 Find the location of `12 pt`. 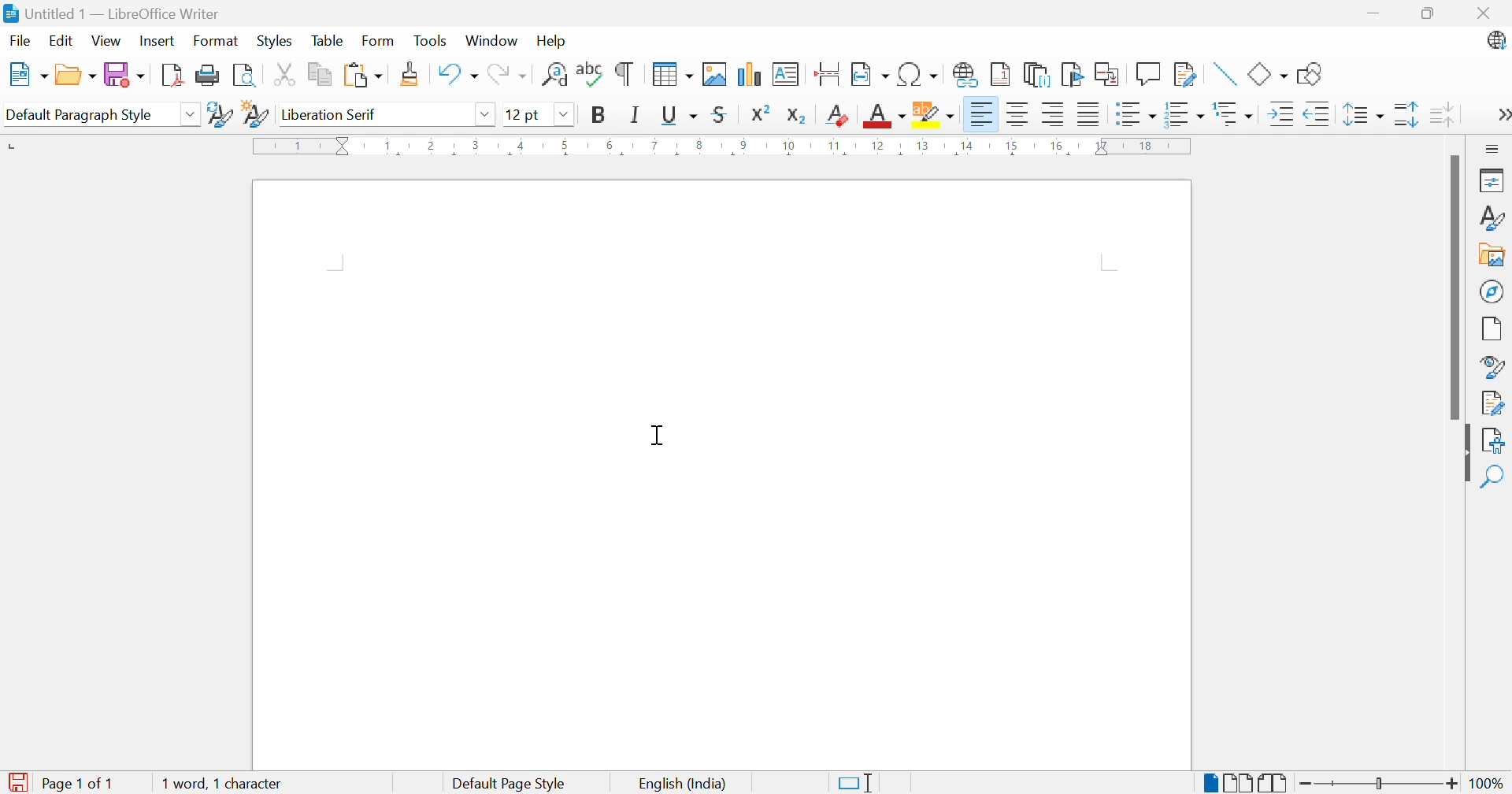

12 pt is located at coordinates (527, 114).